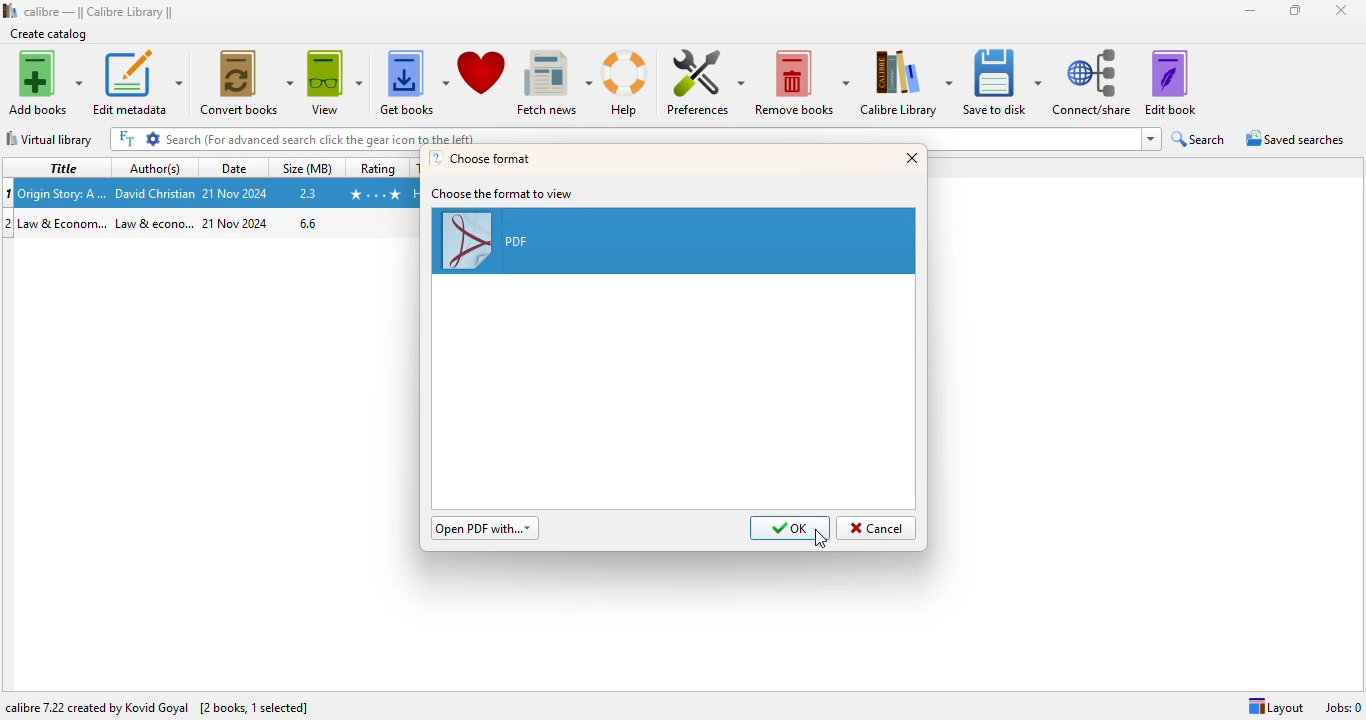 This screenshot has height=720, width=1366. I want to click on rating, so click(377, 167).